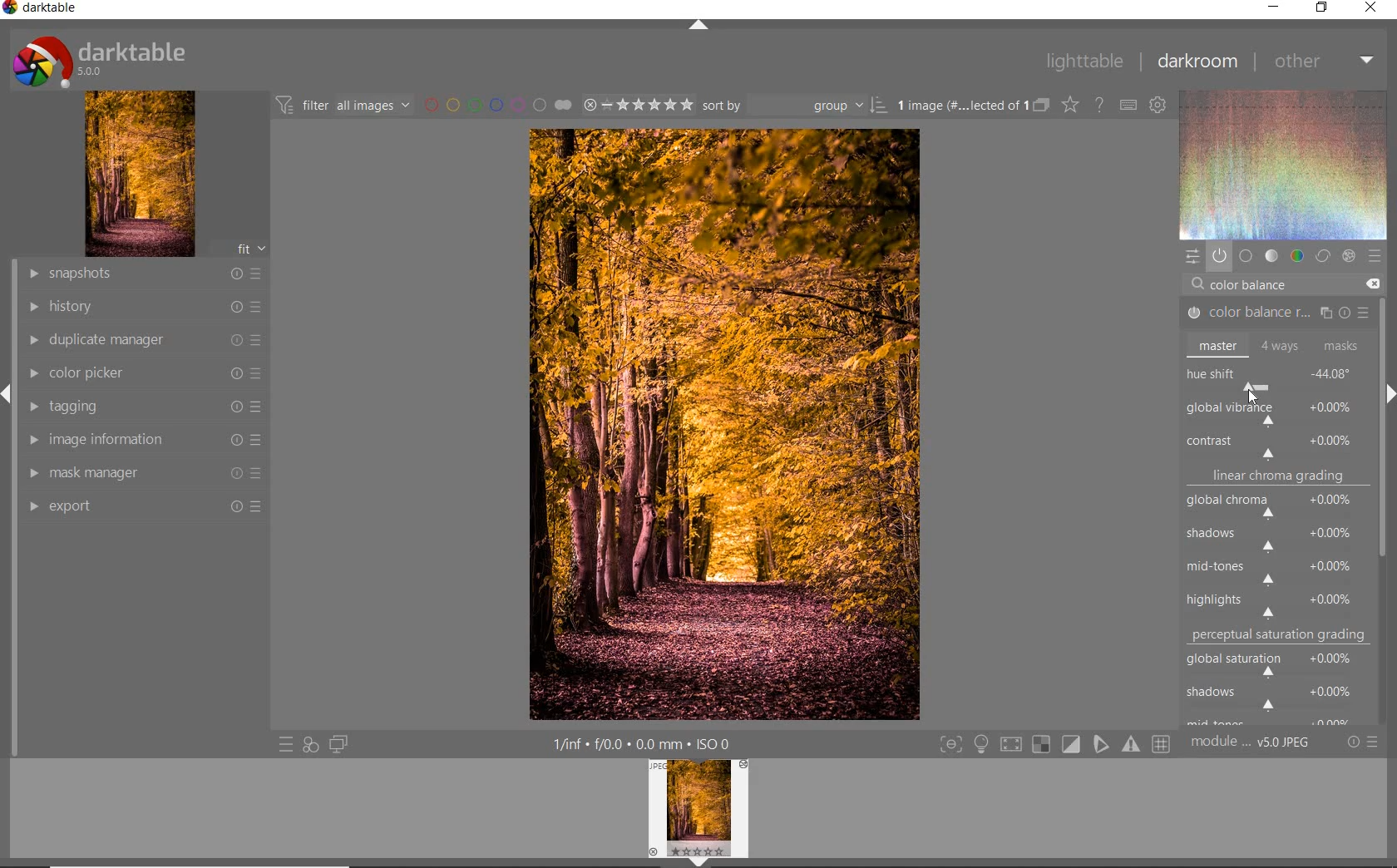 The image size is (1397, 868). I want to click on filter by image color label, so click(496, 105).